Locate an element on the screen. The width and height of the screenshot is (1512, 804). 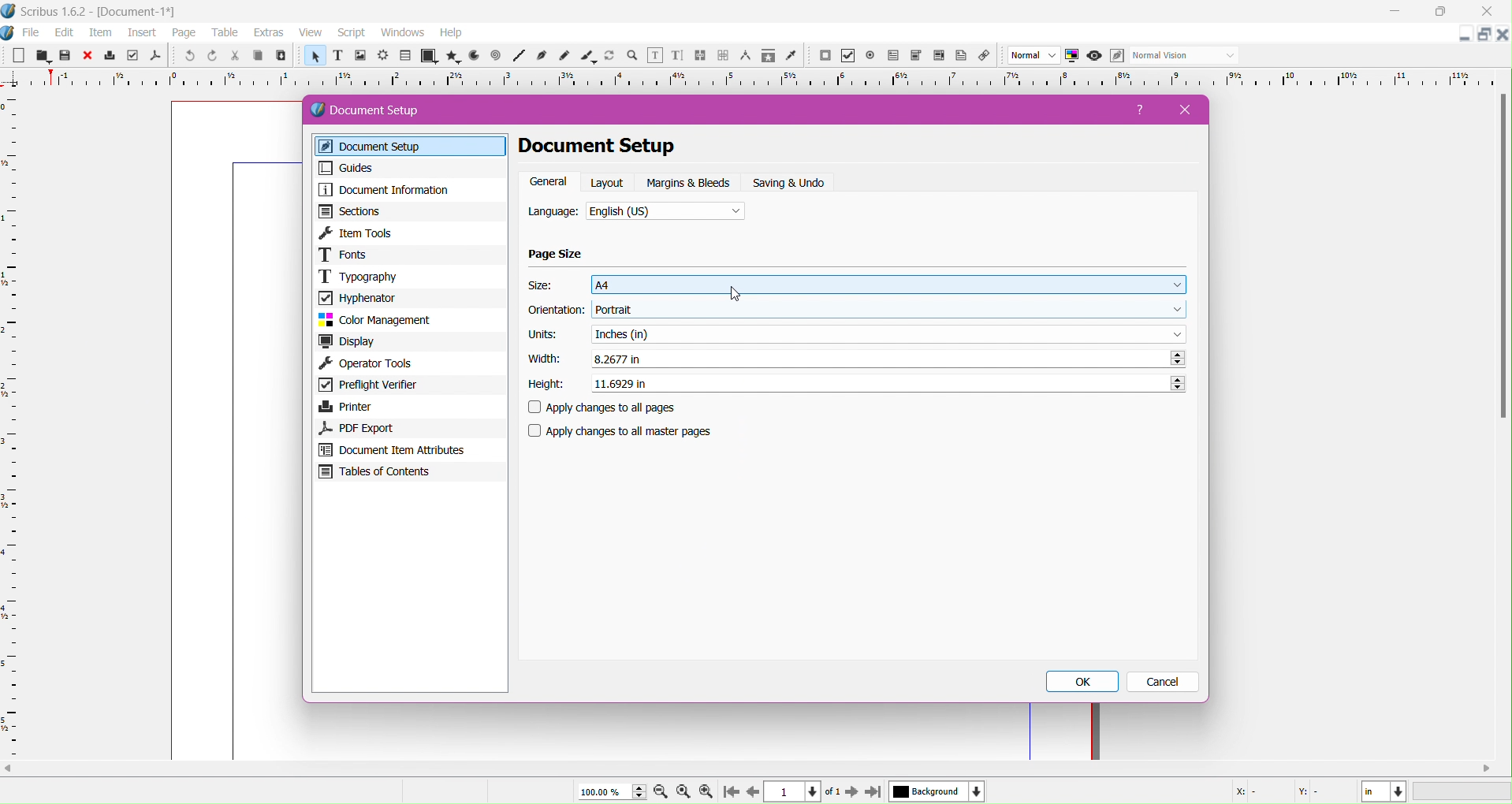
copy is located at coordinates (255, 57).